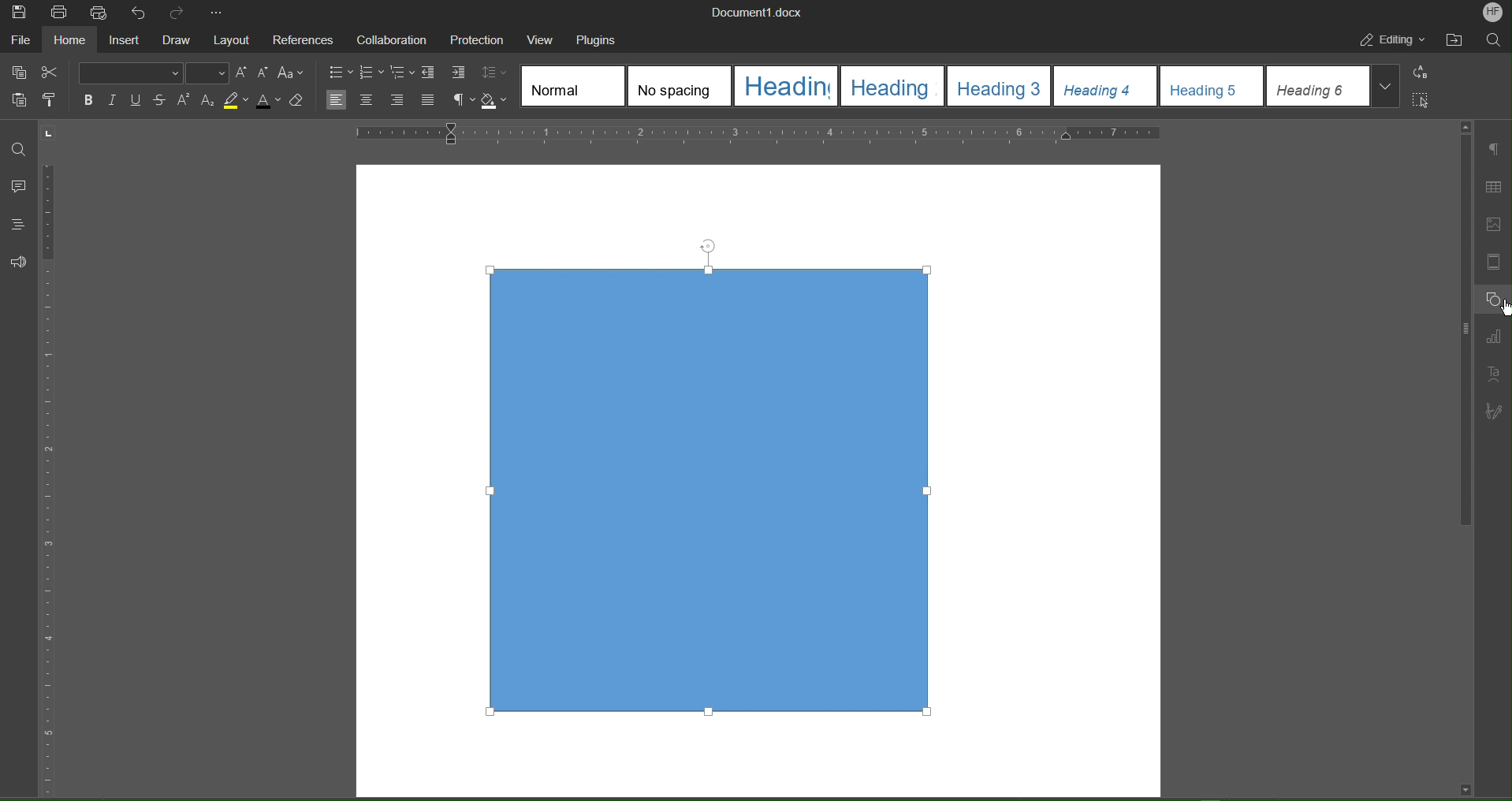 This screenshot has height=801, width=1512. Describe the element at coordinates (759, 133) in the screenshot. I see `Horizontal Ruler` at that location.